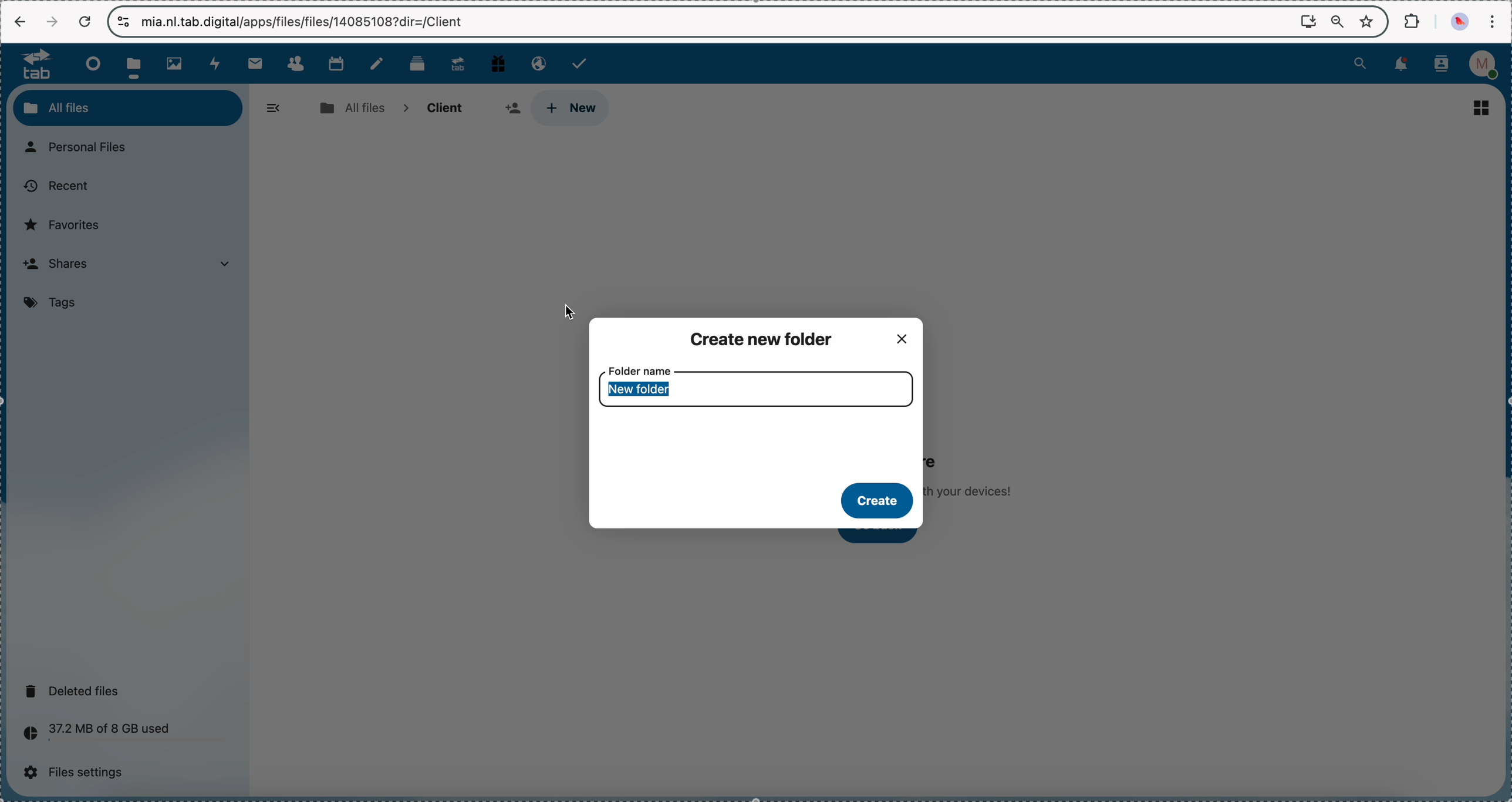  What do you see at coordinates (1399, 65) in the screenshot?
I see `notifications` at bounding box center [1399, 65].